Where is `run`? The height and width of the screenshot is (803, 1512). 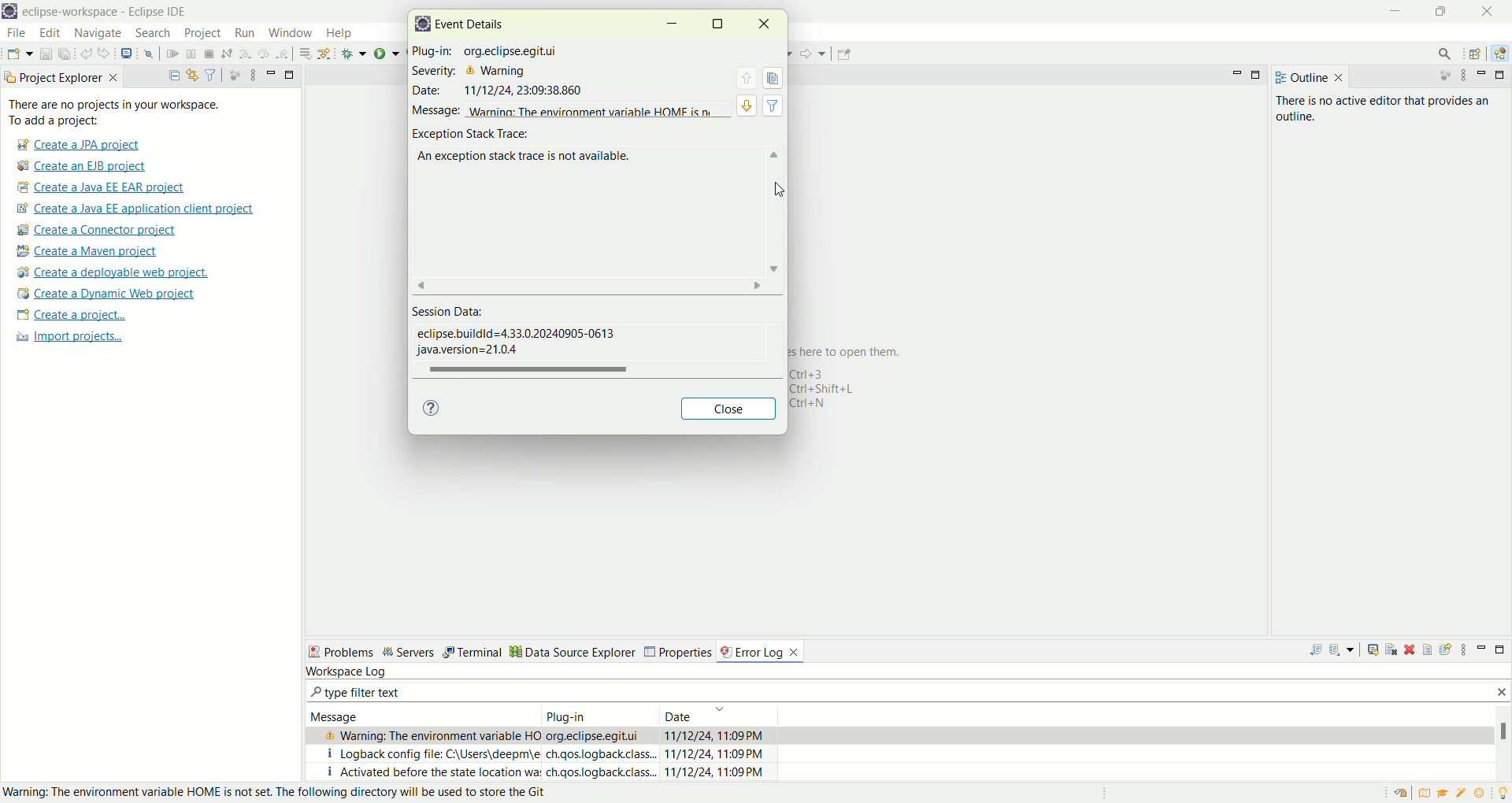
run is located at coordinates (387, 52).